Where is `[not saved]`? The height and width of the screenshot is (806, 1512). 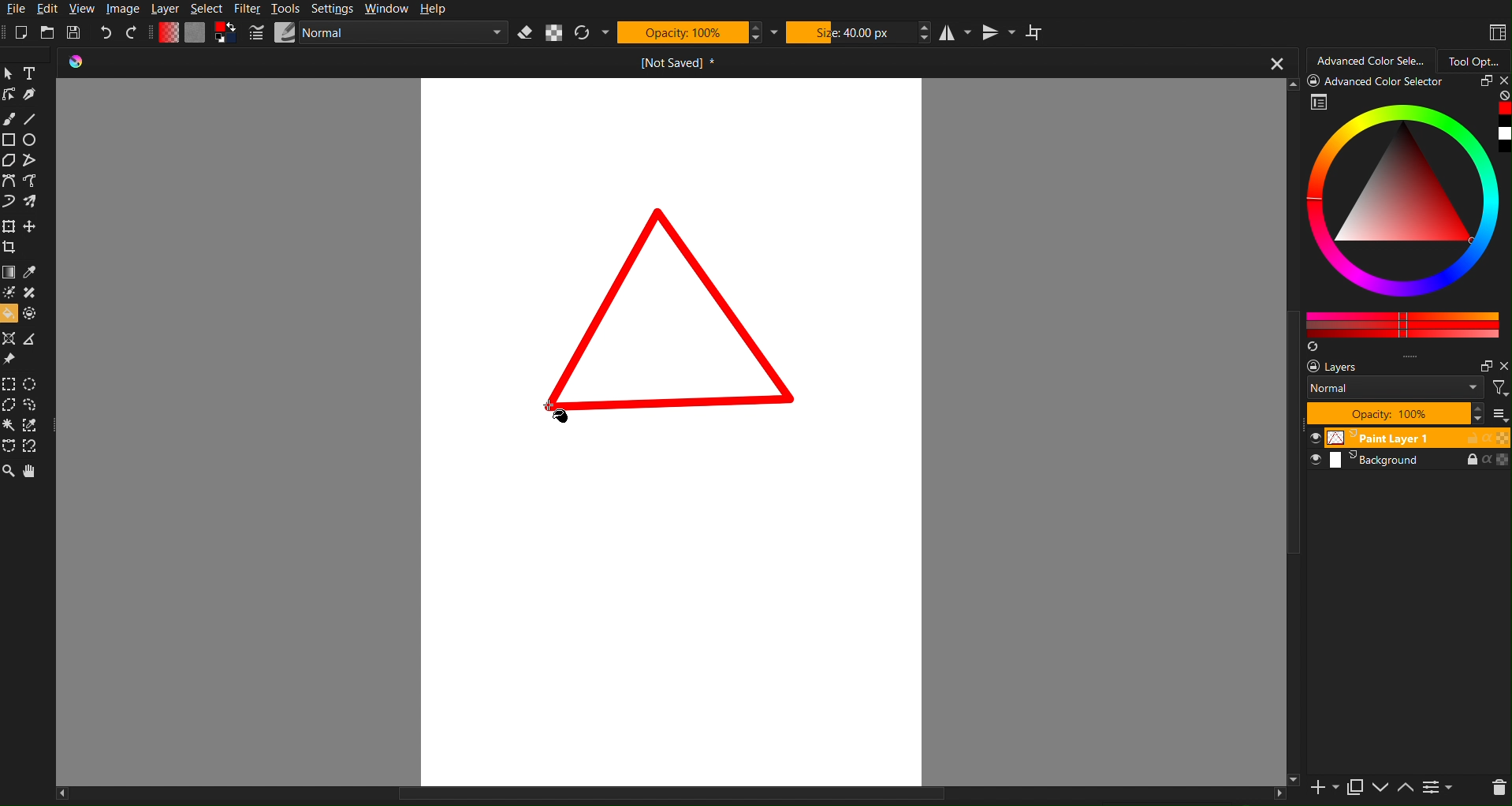 [not saved] is located at coordinates (686, 62).